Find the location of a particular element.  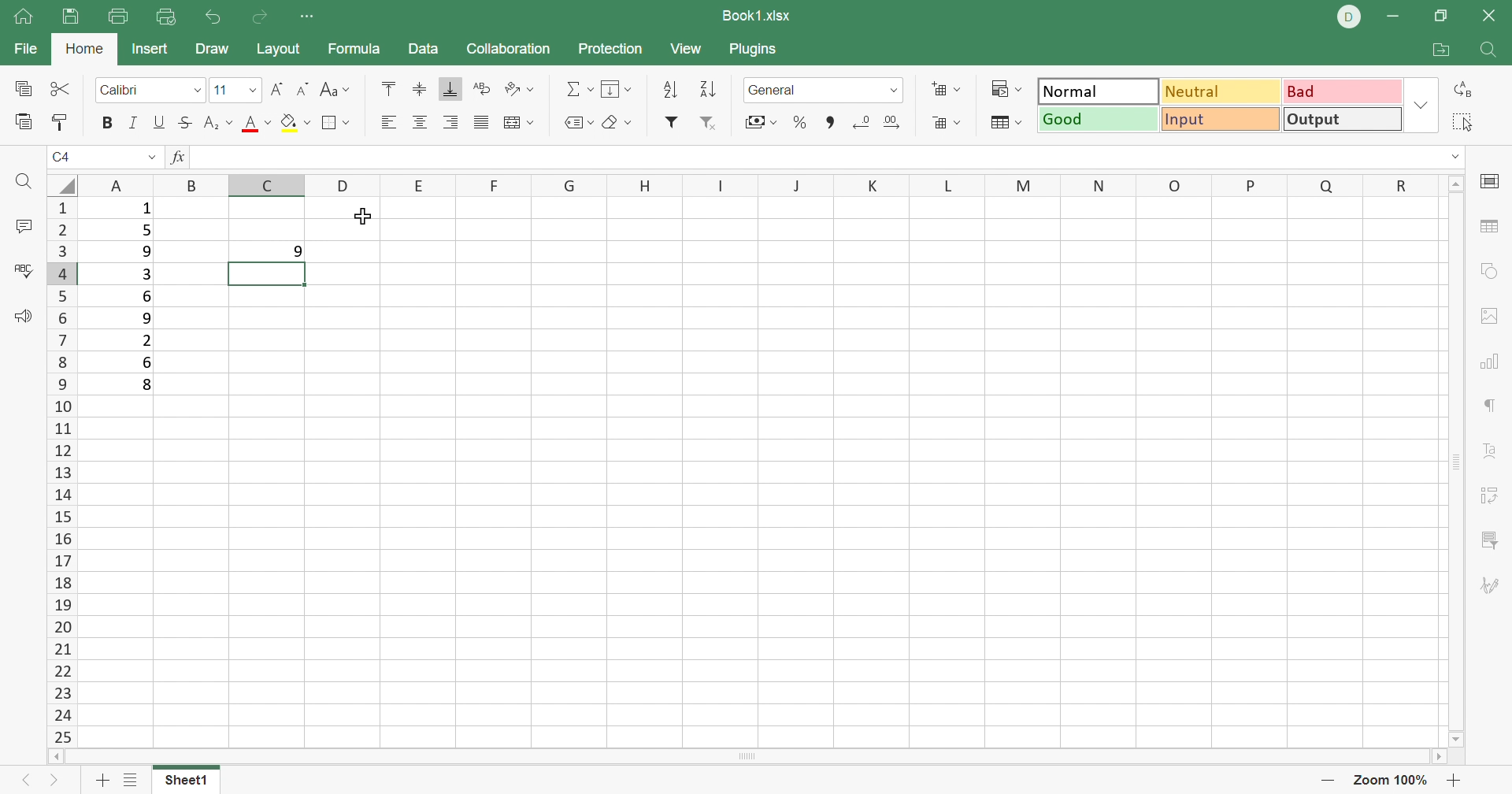

Accounting style is located at coordinates (755, 123).